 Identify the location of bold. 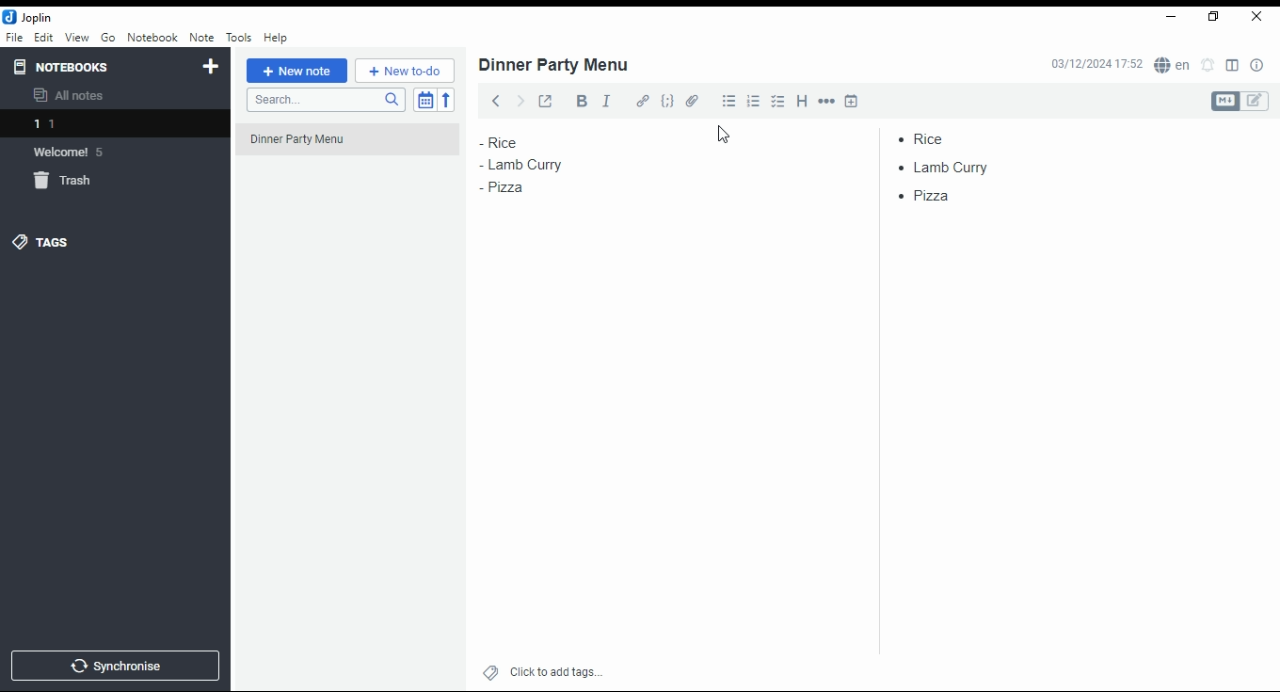
(578, 101).